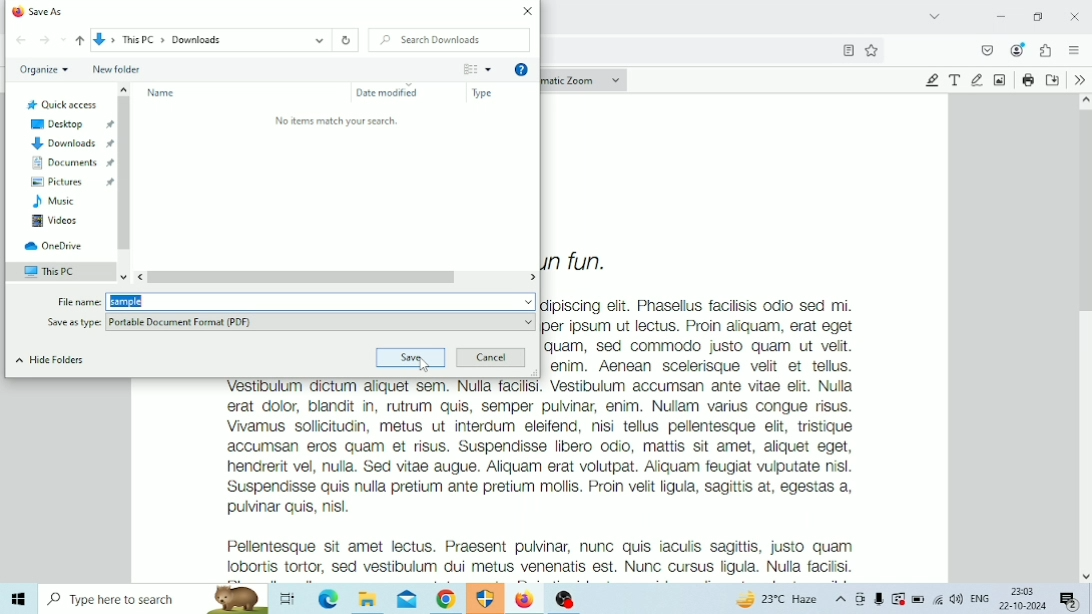 The height and width of the screenshot is (614, 1092). What do you see at coordinates (18, 599) in the screenshot?
I see `Windows` at bounding box center [18, 599].